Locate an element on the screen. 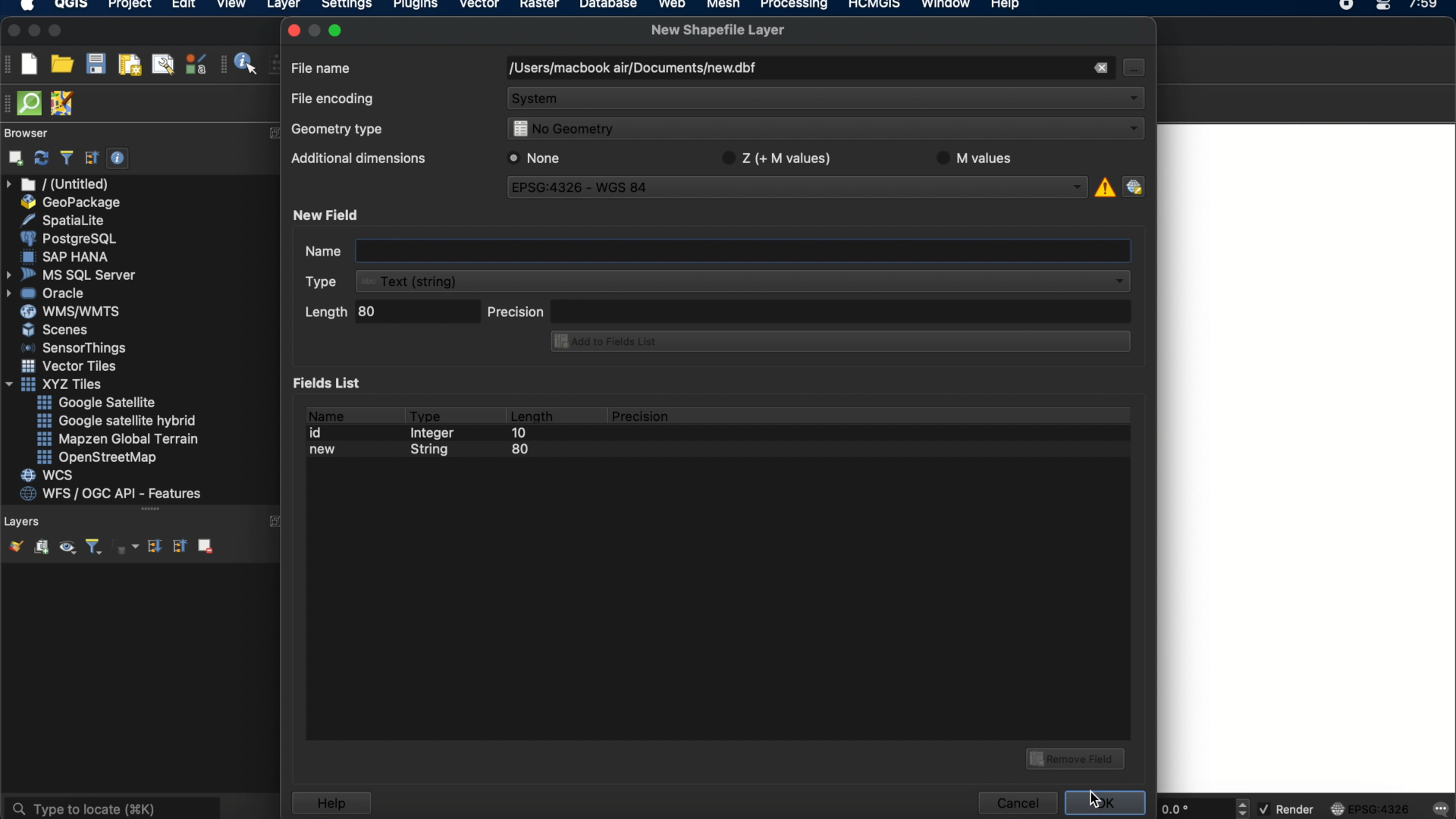  filter legend by expression is located at coordinates (127, 547).